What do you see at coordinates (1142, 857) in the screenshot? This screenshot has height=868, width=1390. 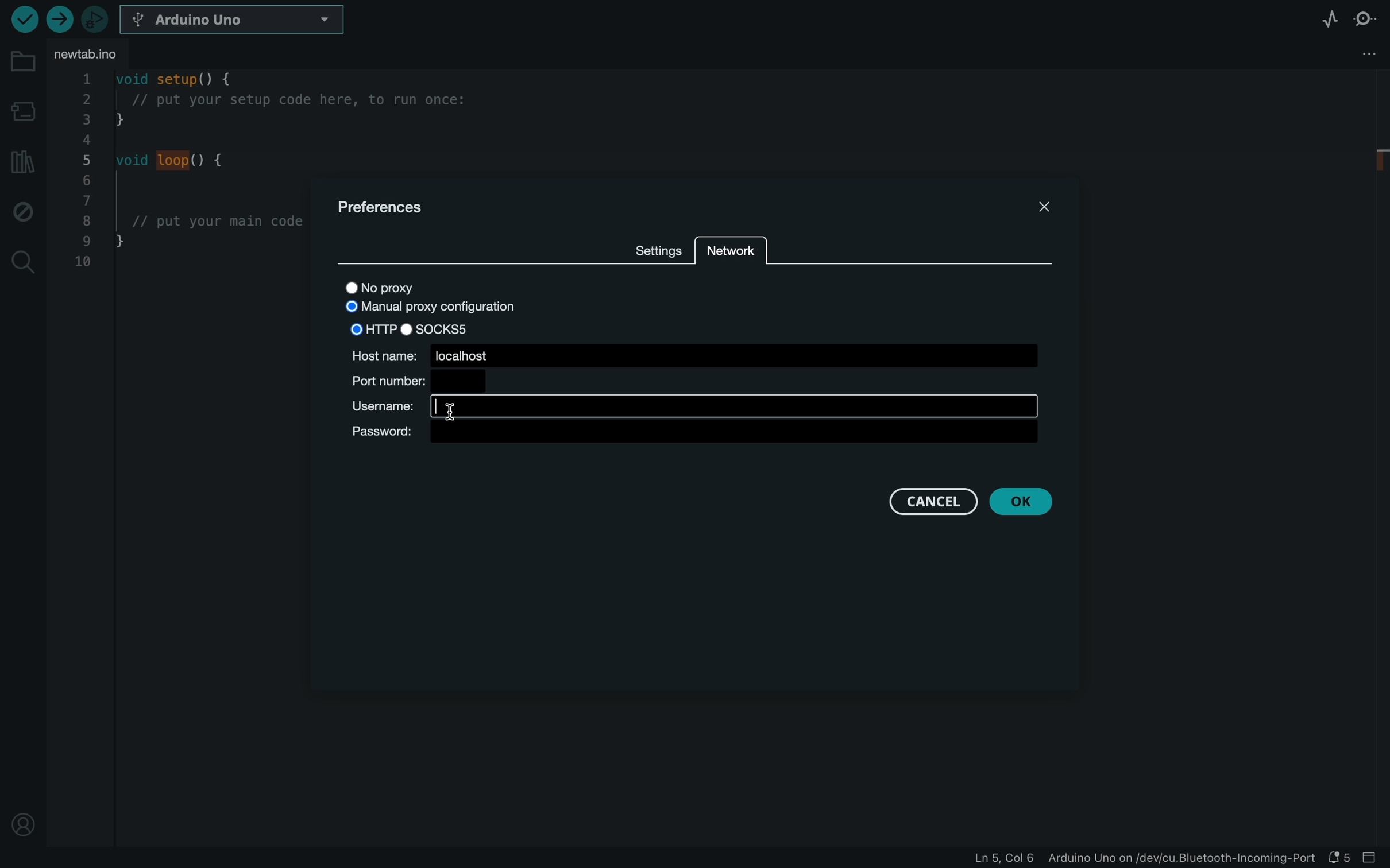 I see `file information` at bounding box center [1142, 857].